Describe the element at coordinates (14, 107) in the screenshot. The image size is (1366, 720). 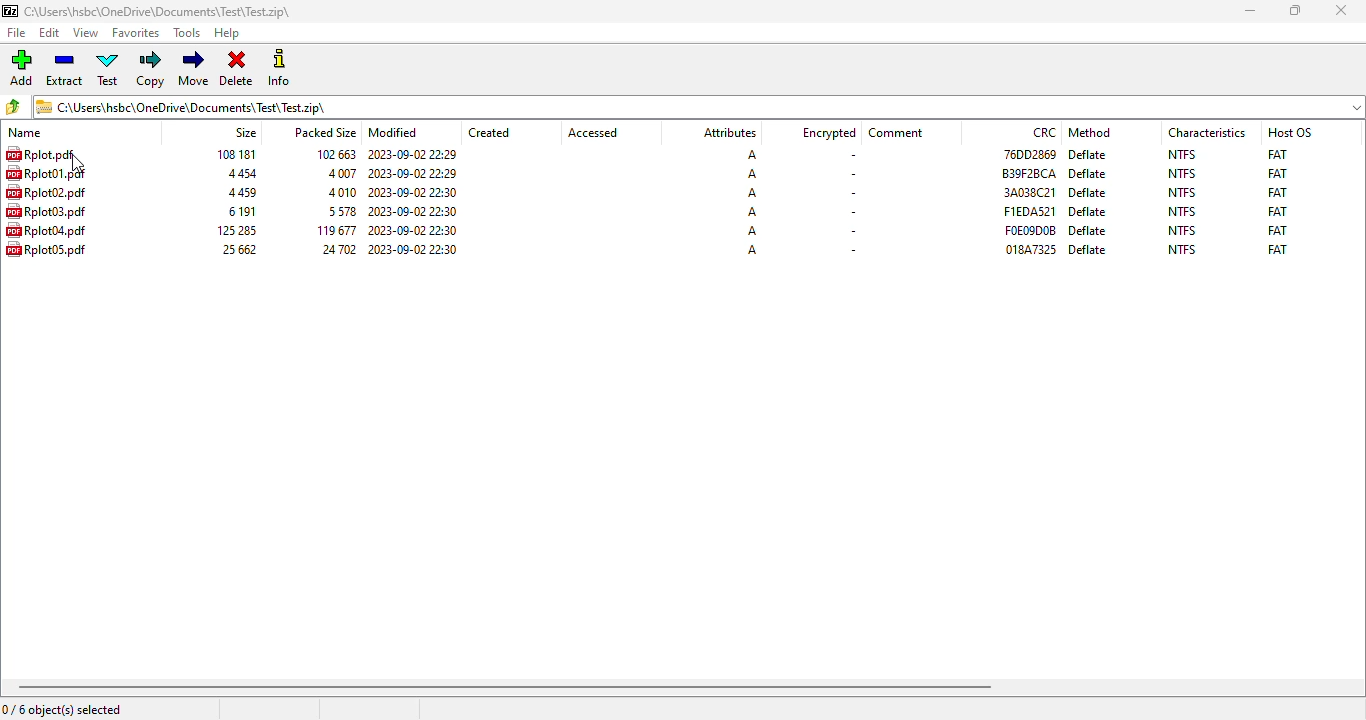
I see `browse folders` at that location.